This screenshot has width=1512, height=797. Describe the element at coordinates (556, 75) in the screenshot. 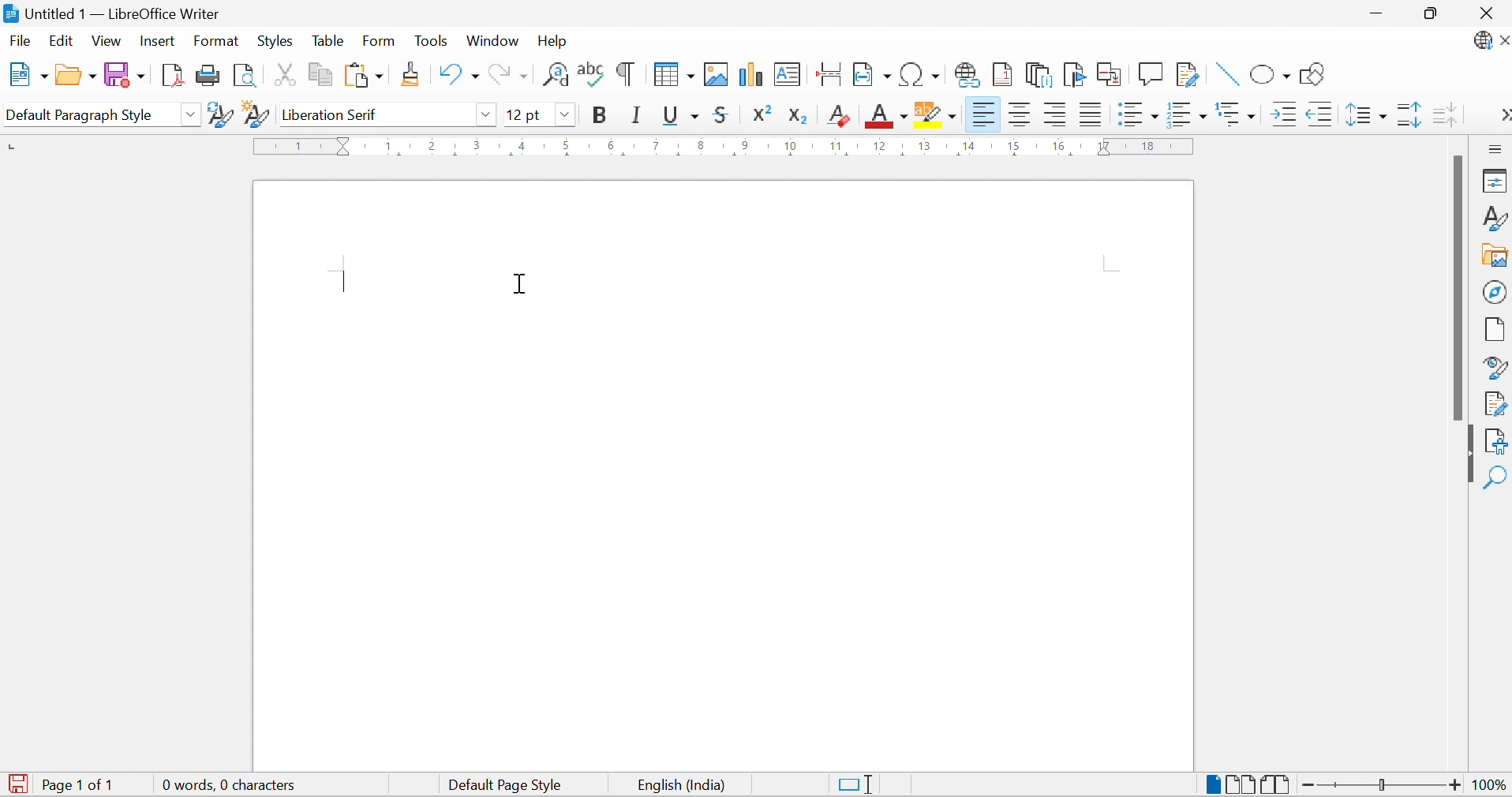

I see `Find and Replace` at that location.